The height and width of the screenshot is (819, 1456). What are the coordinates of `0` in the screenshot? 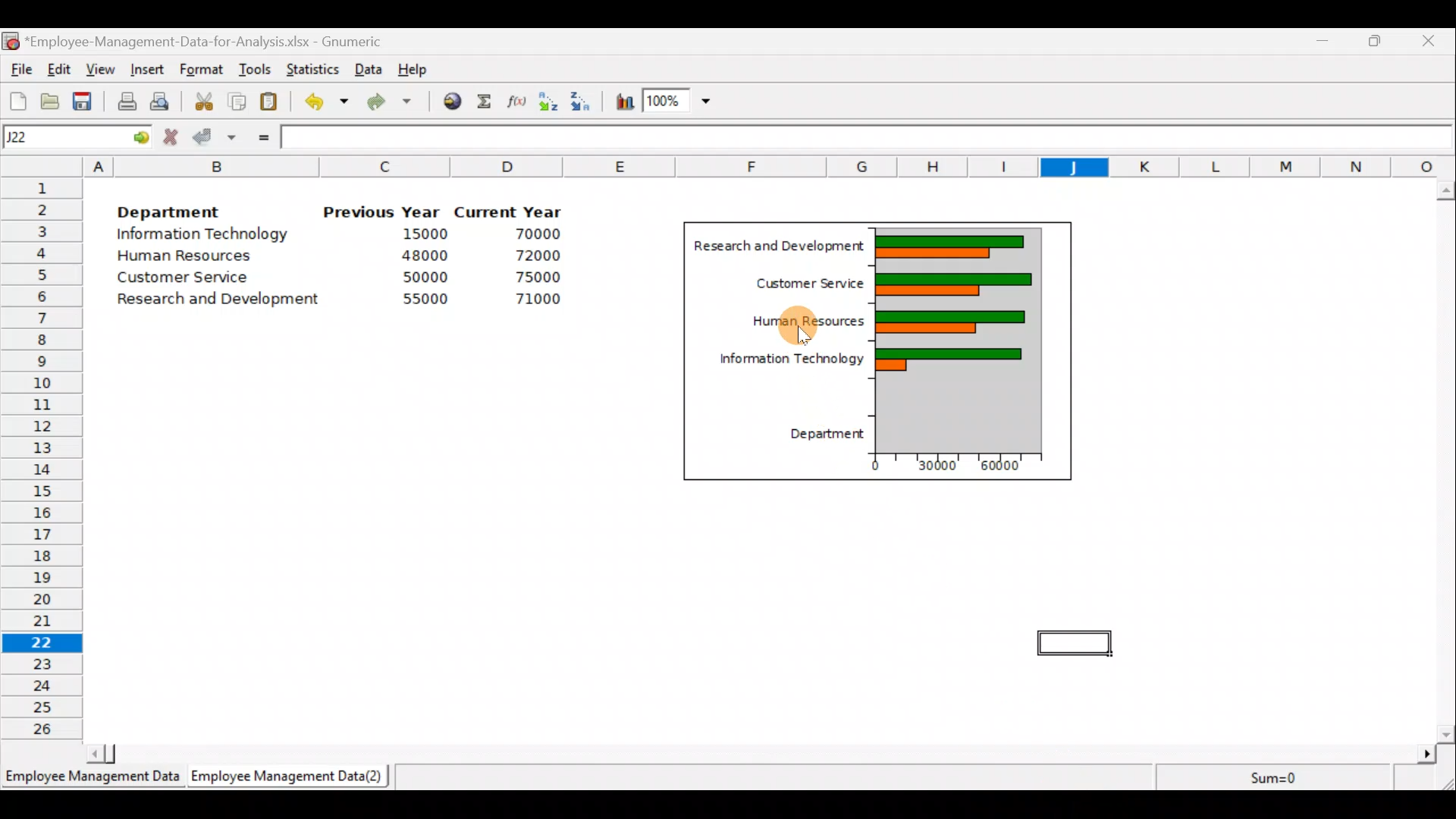 It's located at (866, 466).